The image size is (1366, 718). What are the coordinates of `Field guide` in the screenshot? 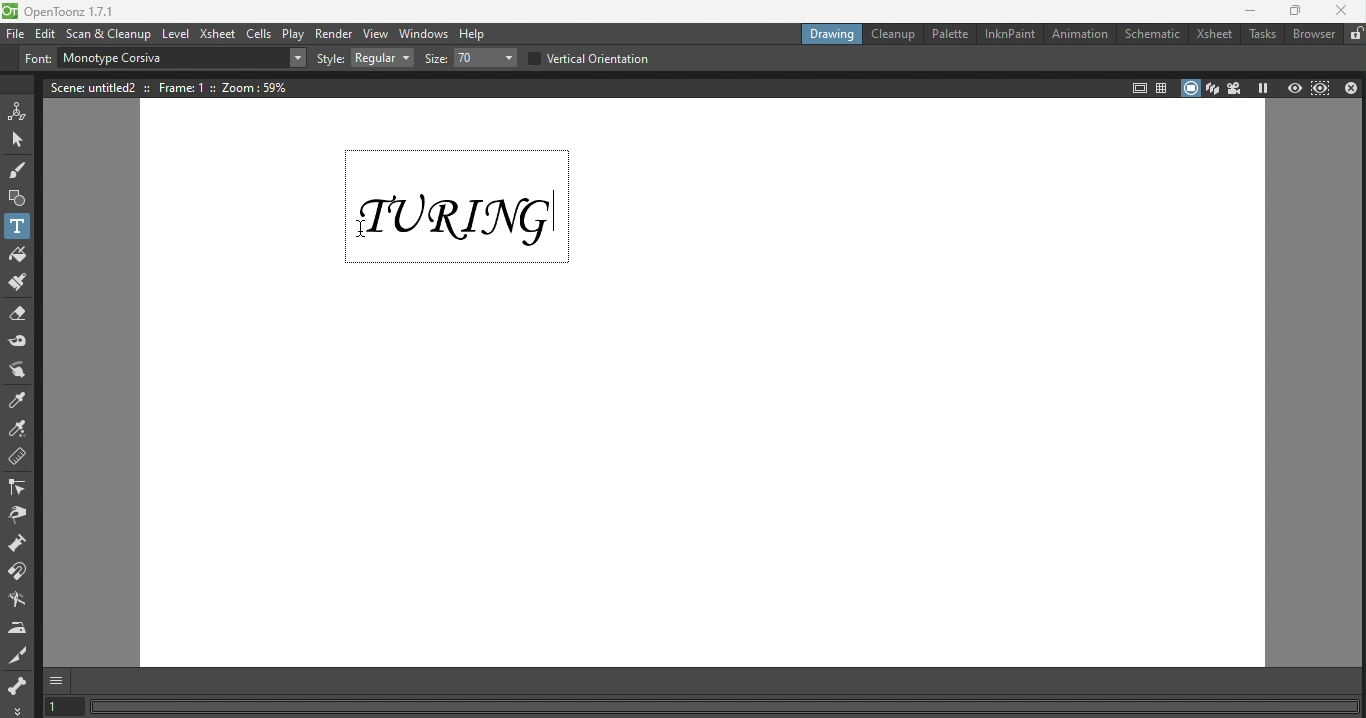 It's located at (1163, 87).